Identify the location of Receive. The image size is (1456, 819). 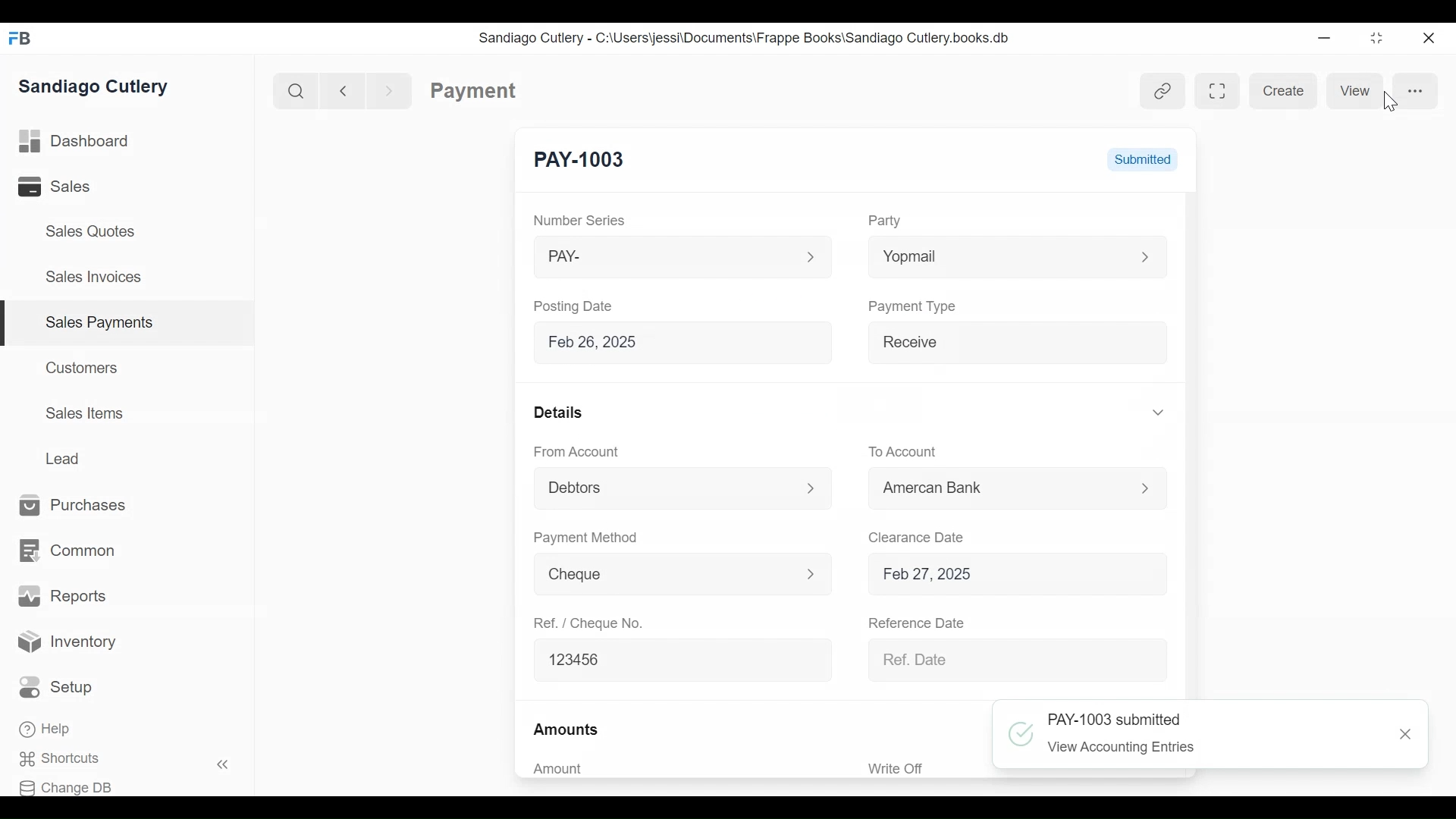
(1015, 344).